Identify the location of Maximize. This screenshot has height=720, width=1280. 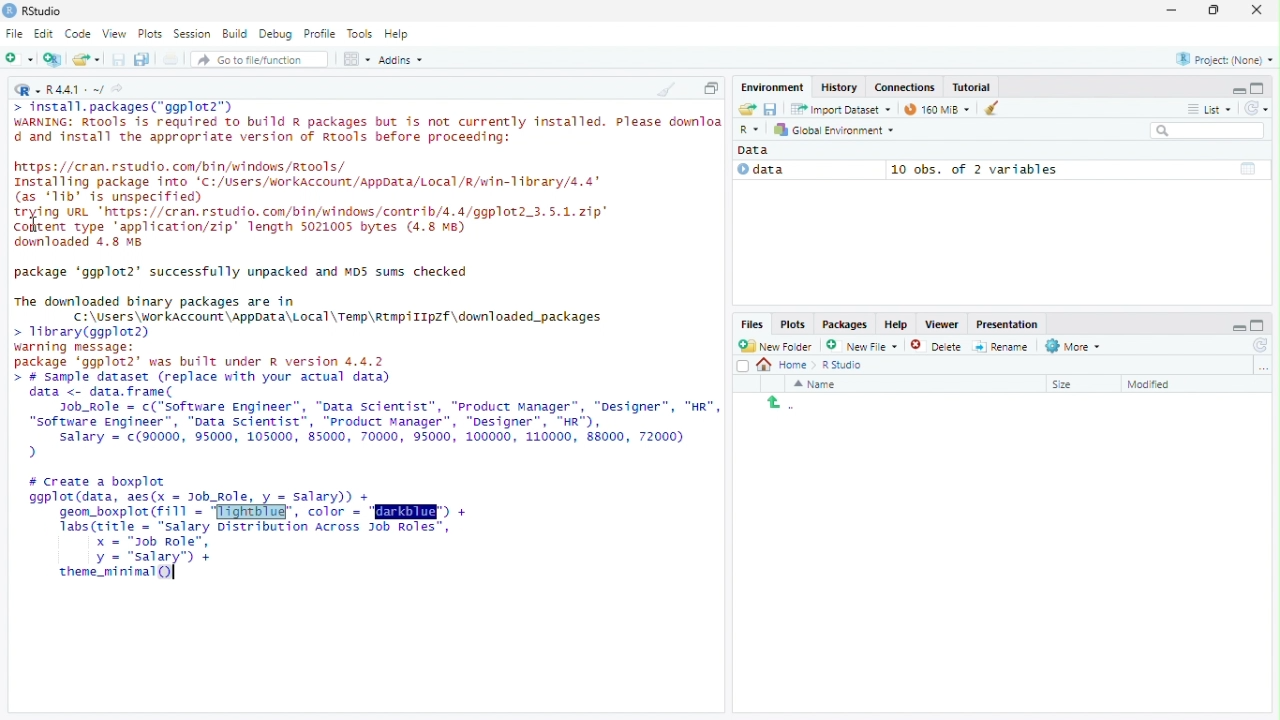
(1216, 10).